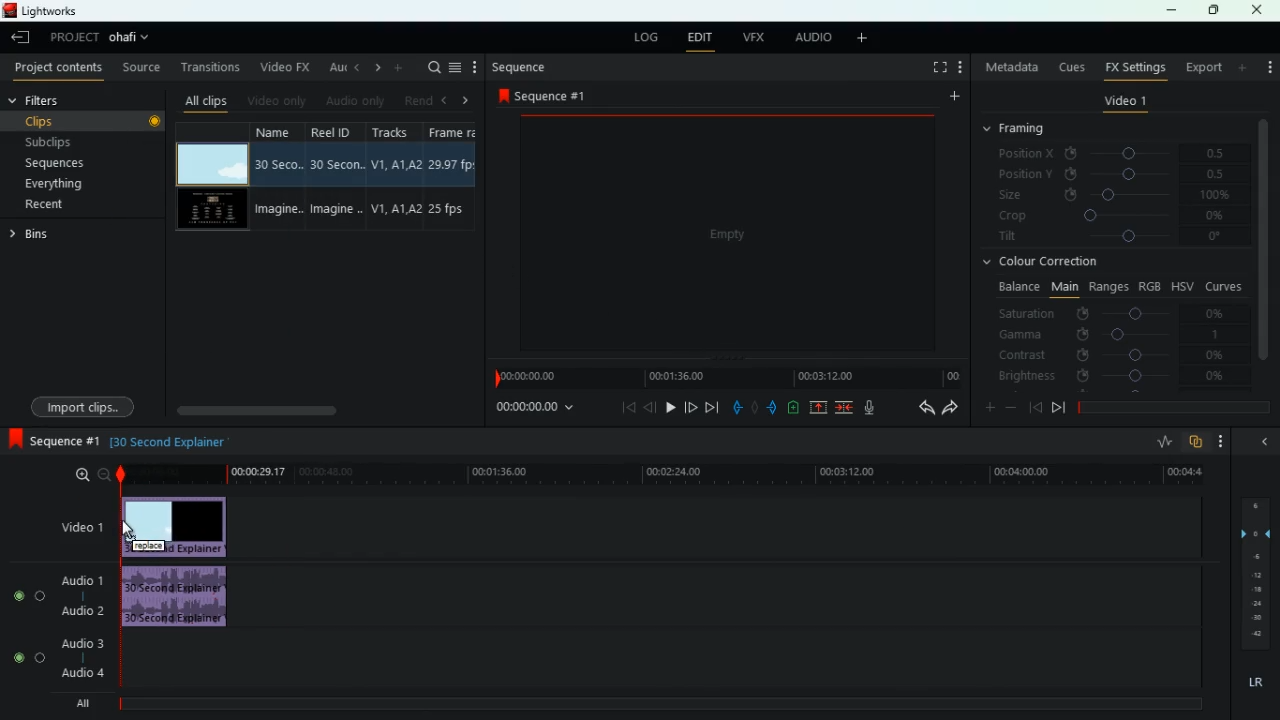  I want to click on video fx, so click(282, 68).